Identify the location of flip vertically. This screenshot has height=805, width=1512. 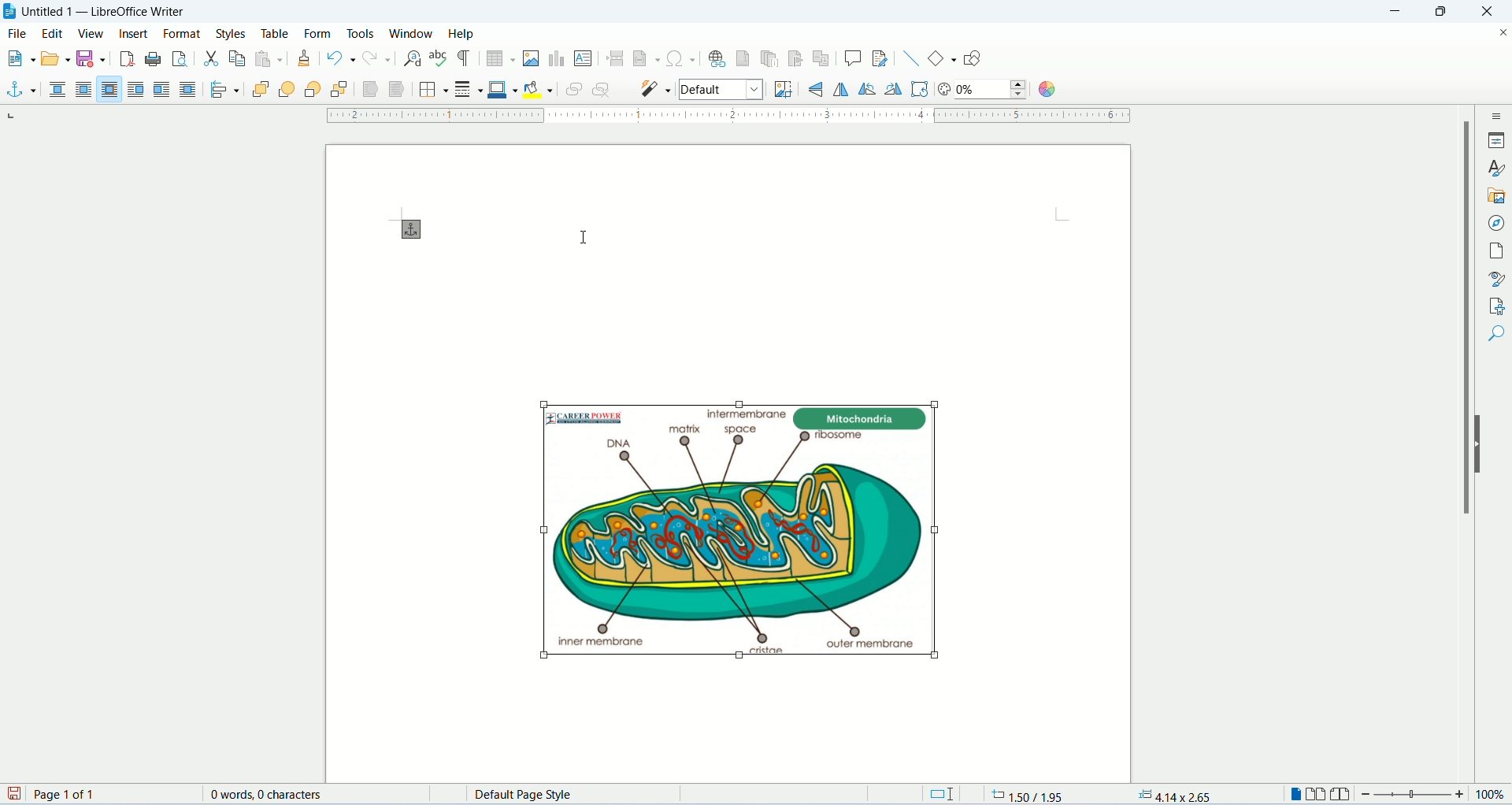
(841, 89).